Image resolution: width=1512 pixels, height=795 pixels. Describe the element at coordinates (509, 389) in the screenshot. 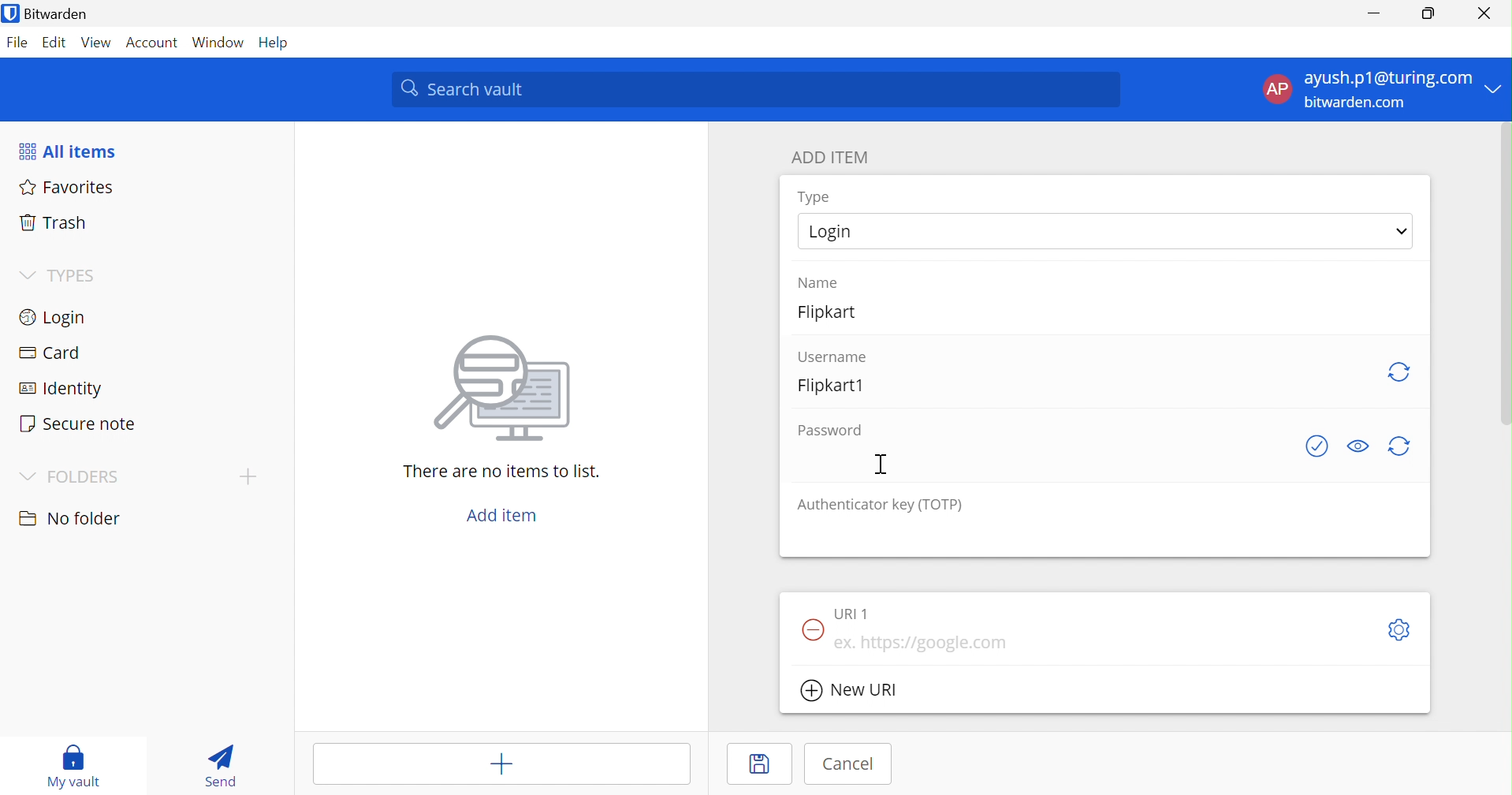

I see `image` at that location.